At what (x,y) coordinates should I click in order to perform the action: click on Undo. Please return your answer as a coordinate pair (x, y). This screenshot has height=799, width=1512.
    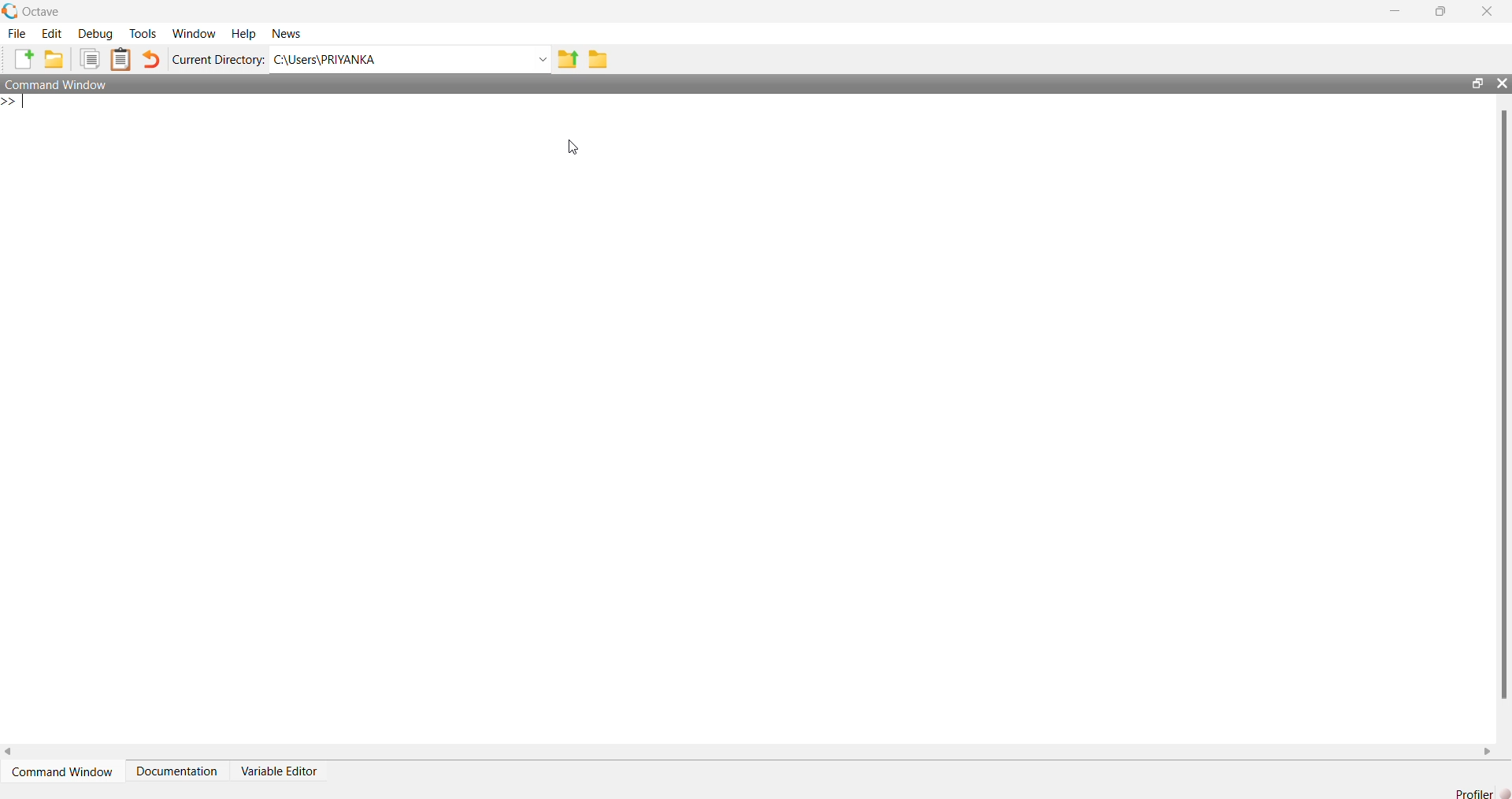
    Looking at the image, I should click on (150, 58).